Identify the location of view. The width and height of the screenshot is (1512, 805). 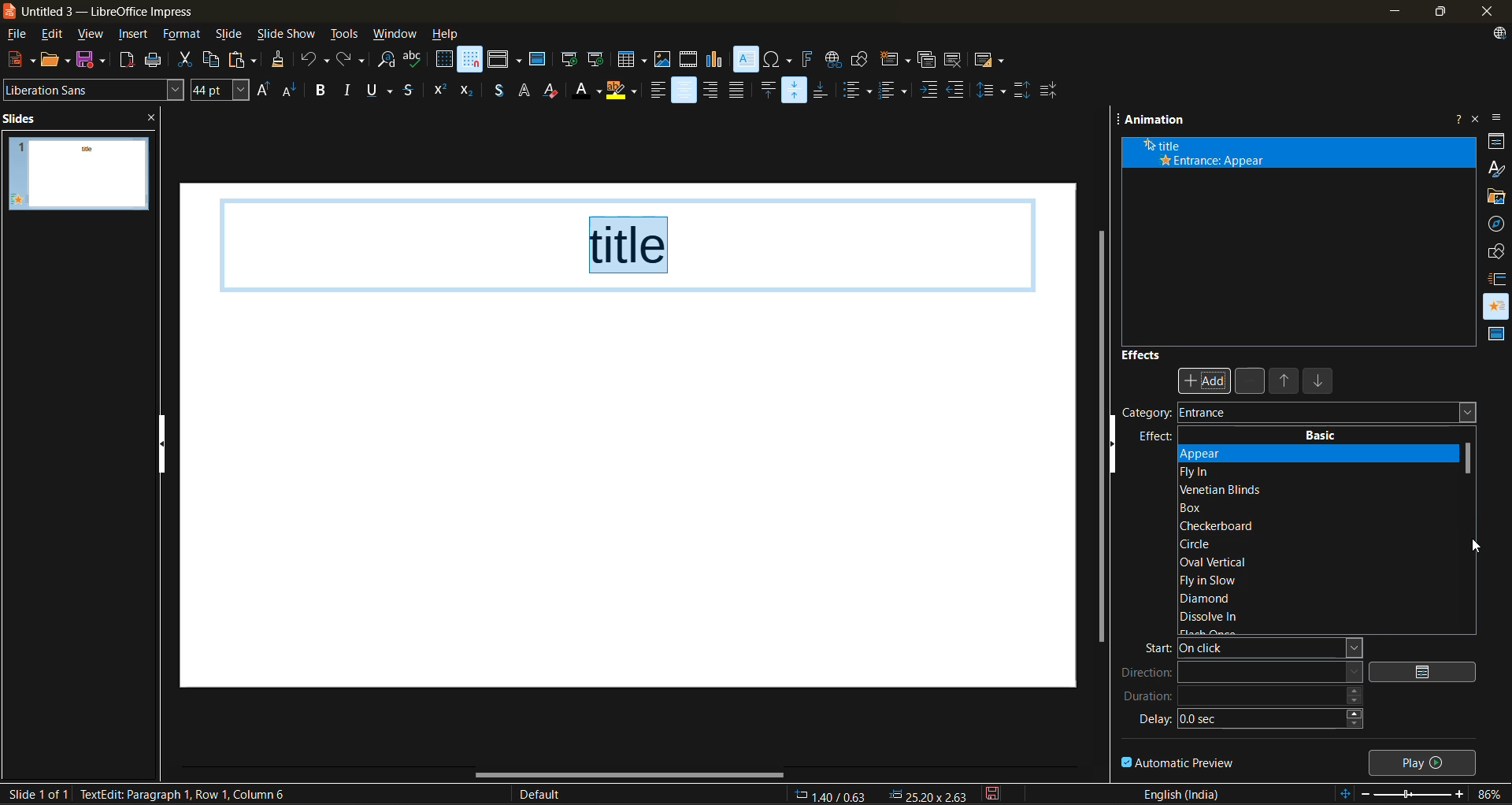
(94, 35).